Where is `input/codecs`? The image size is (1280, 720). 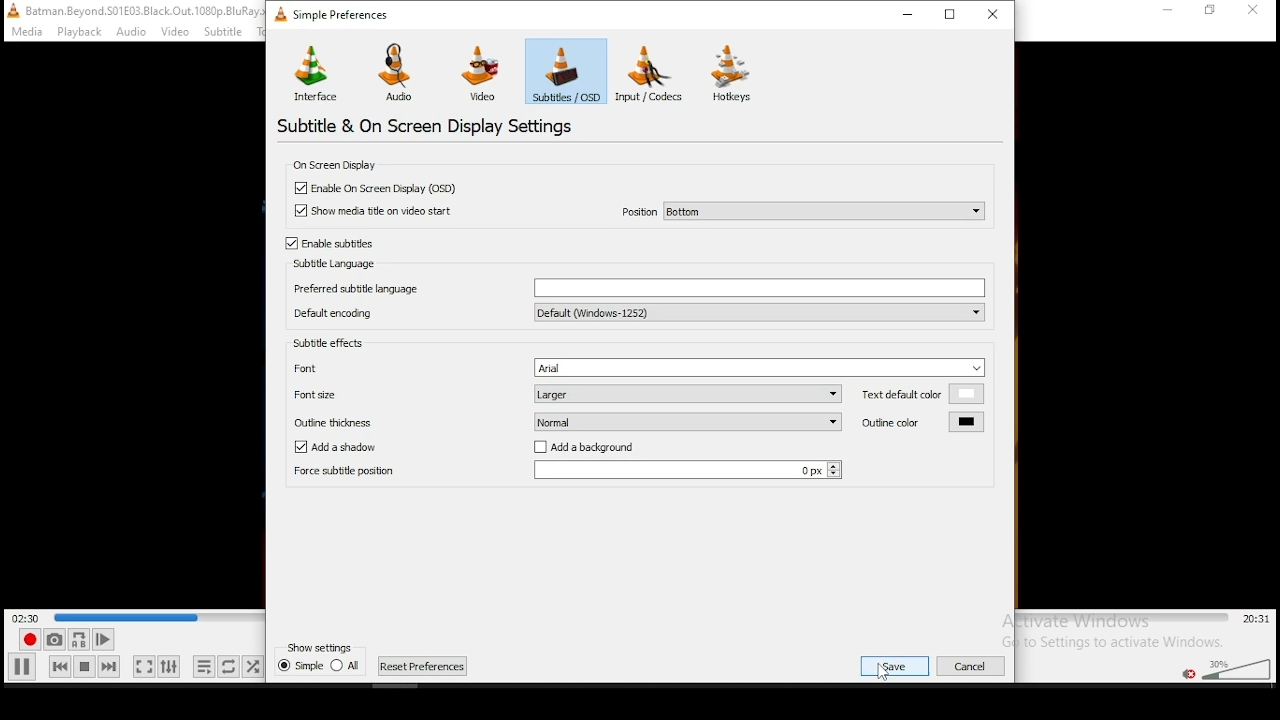 input/codecs is located at coordinates (648, 73).